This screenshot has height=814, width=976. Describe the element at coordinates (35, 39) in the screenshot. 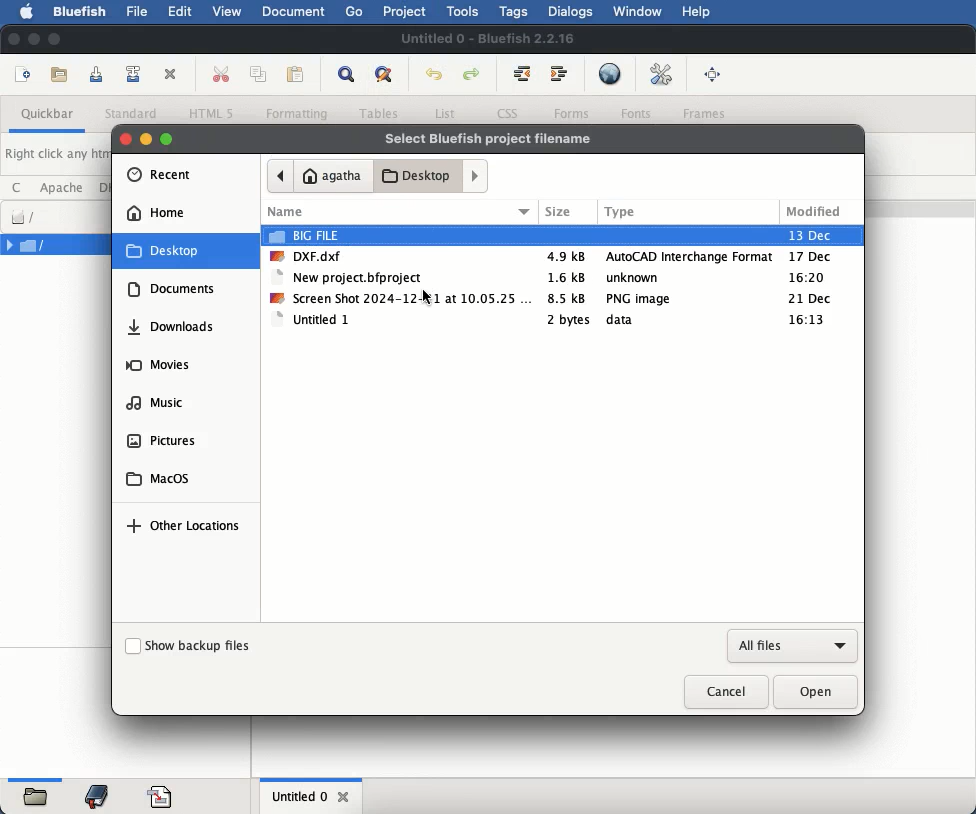

I see `minimize` at that location.